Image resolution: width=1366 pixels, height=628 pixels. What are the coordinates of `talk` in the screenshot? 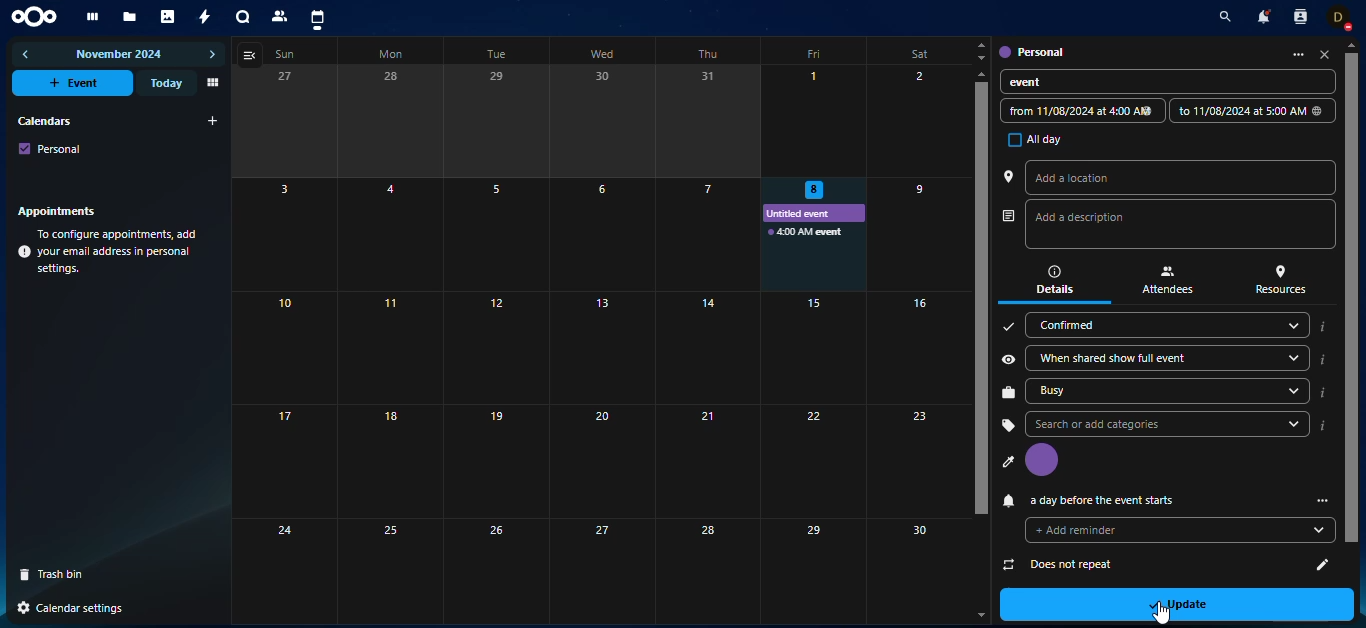 It's located at (243, 18).